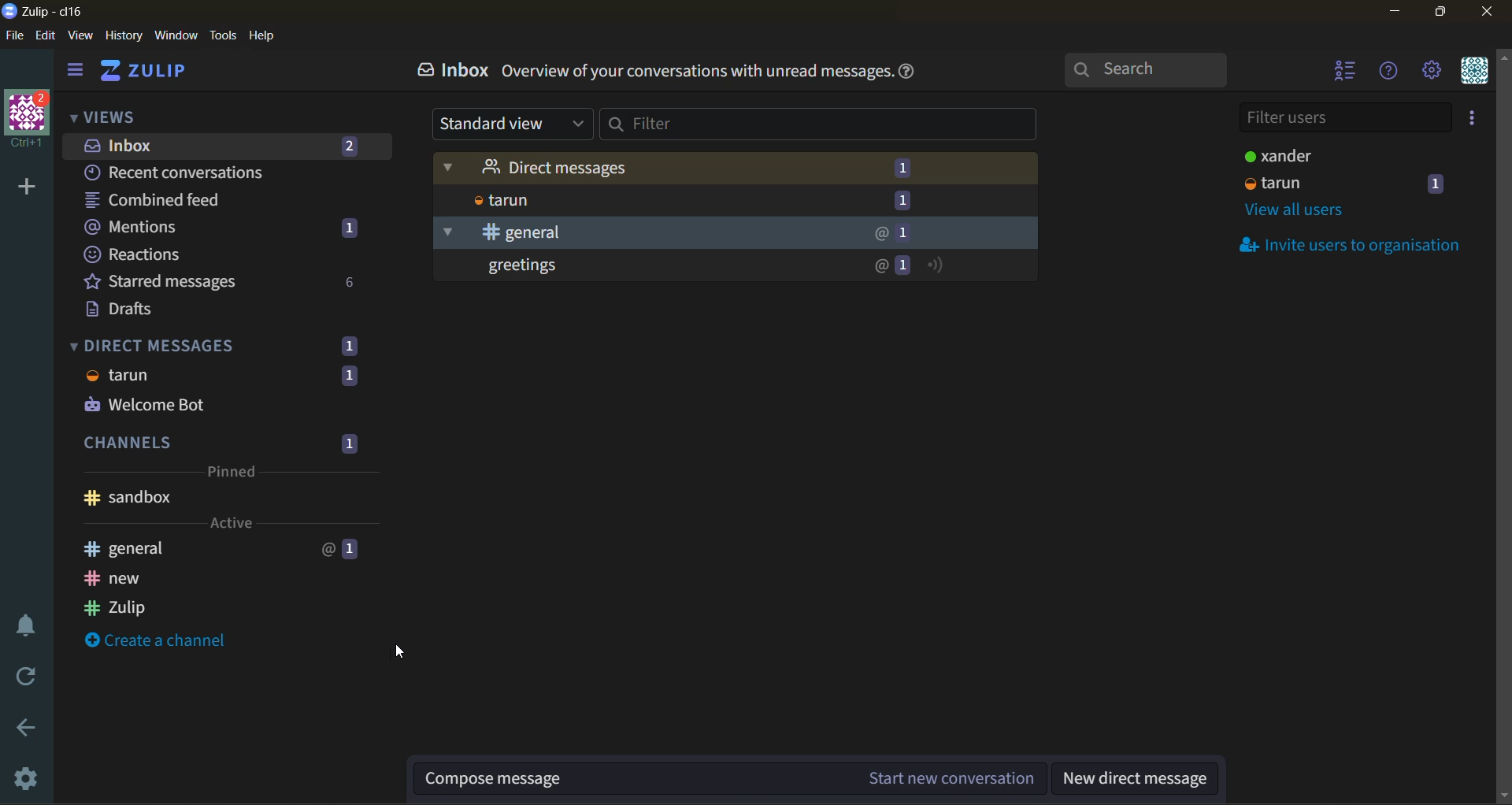 This screenshot has width=1512, height=805. What do you see at coordinates (1388, 72) in the screenshot?
I see `help menu` at bounding box center [1388, 72].